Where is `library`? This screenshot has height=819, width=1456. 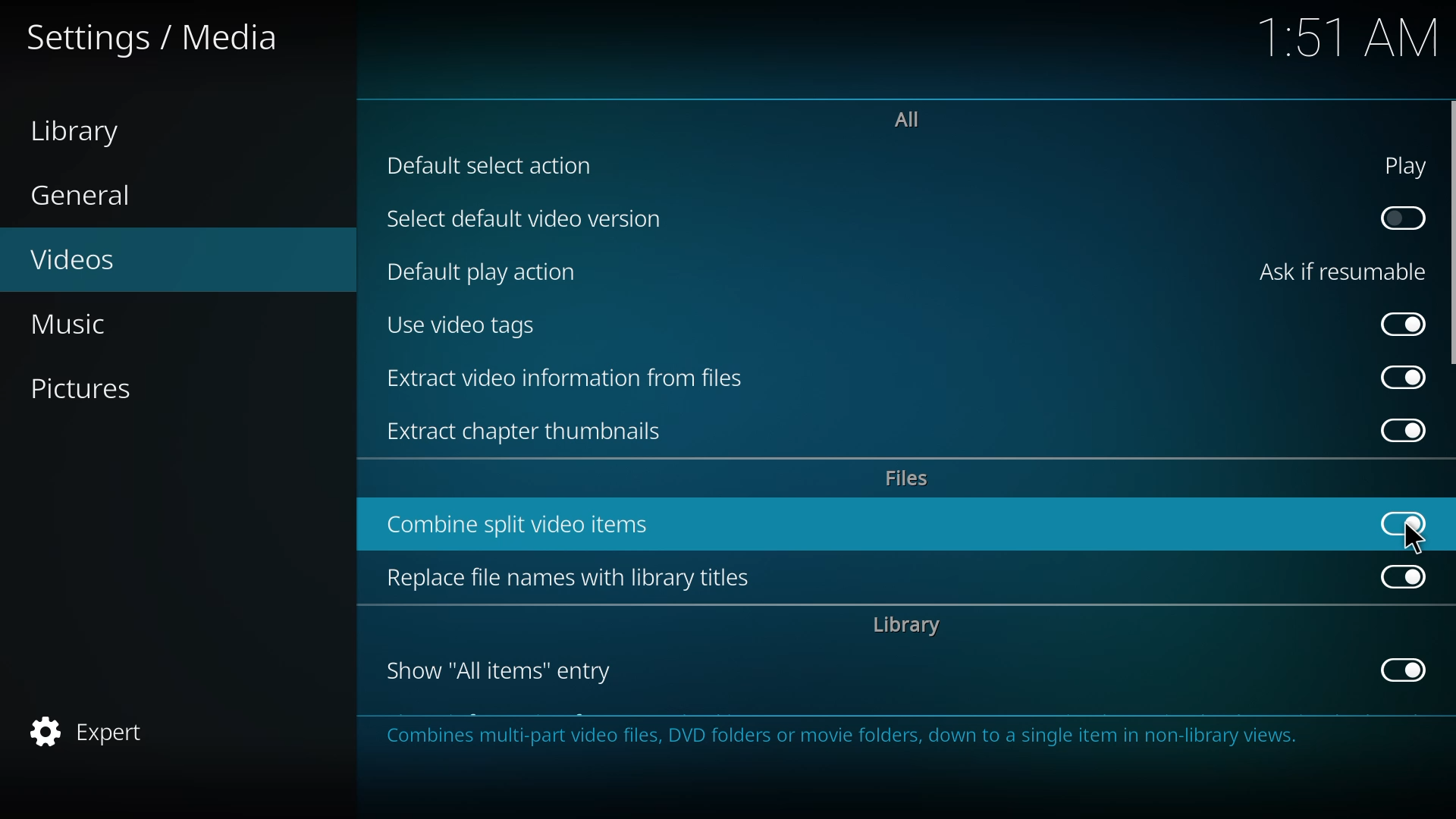
library is located at coordinates (903, 625).